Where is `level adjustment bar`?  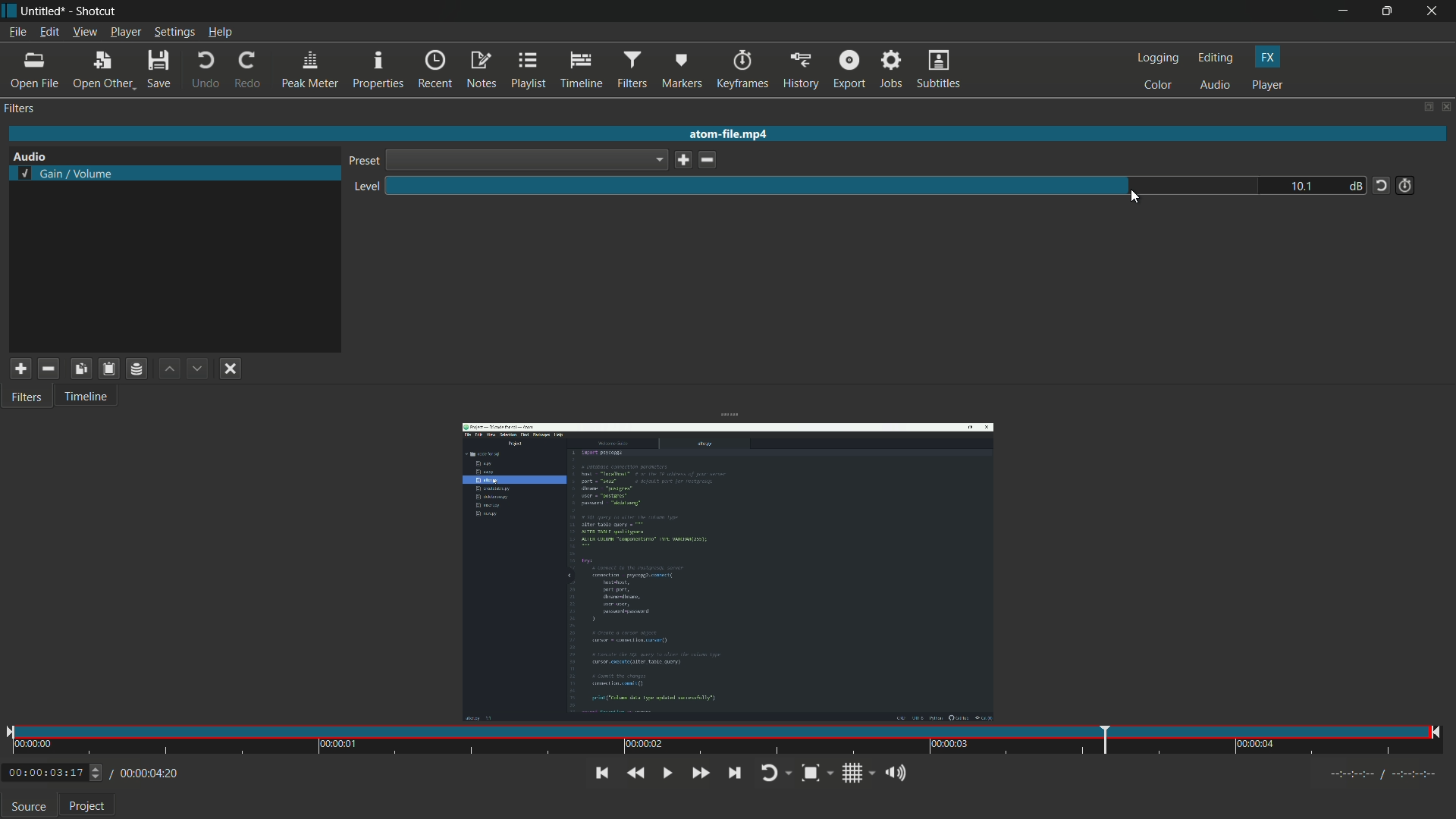
level adjustment bar is located at coordinates (823, 184).